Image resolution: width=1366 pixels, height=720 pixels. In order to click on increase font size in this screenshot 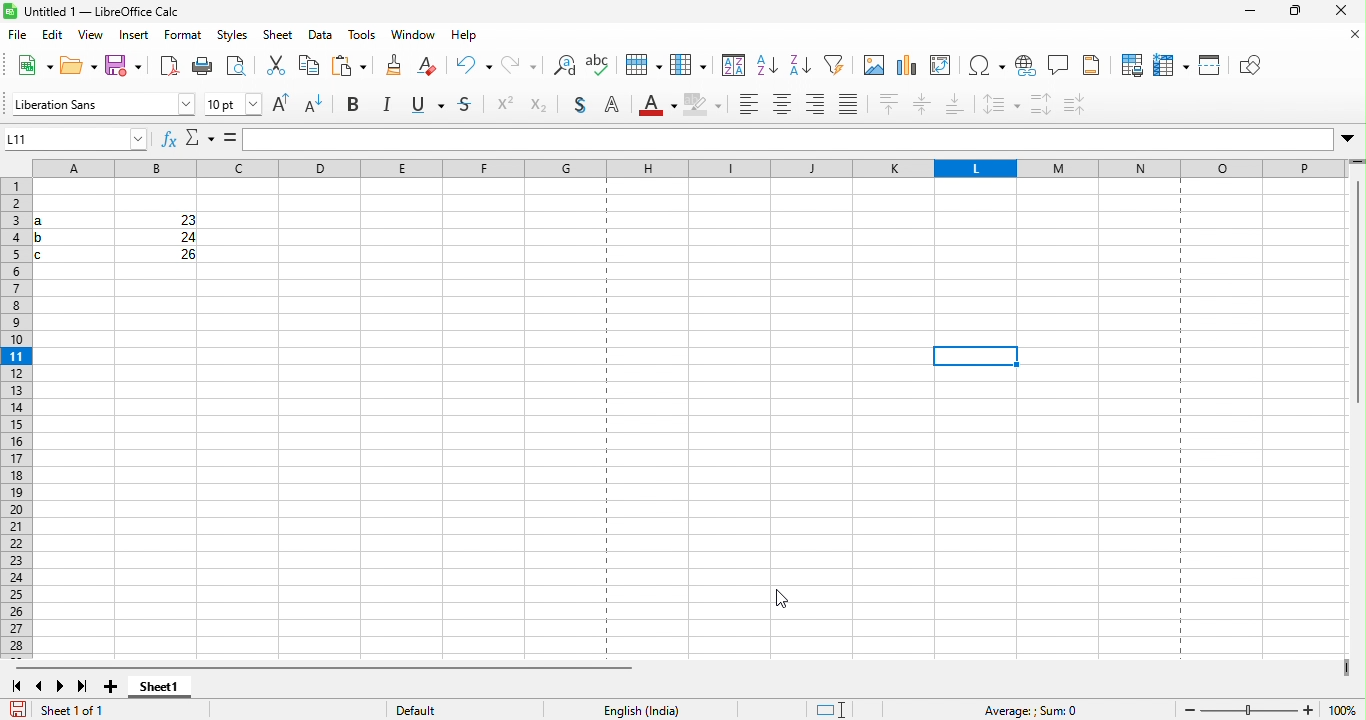, I will do `click(286, 107)`.